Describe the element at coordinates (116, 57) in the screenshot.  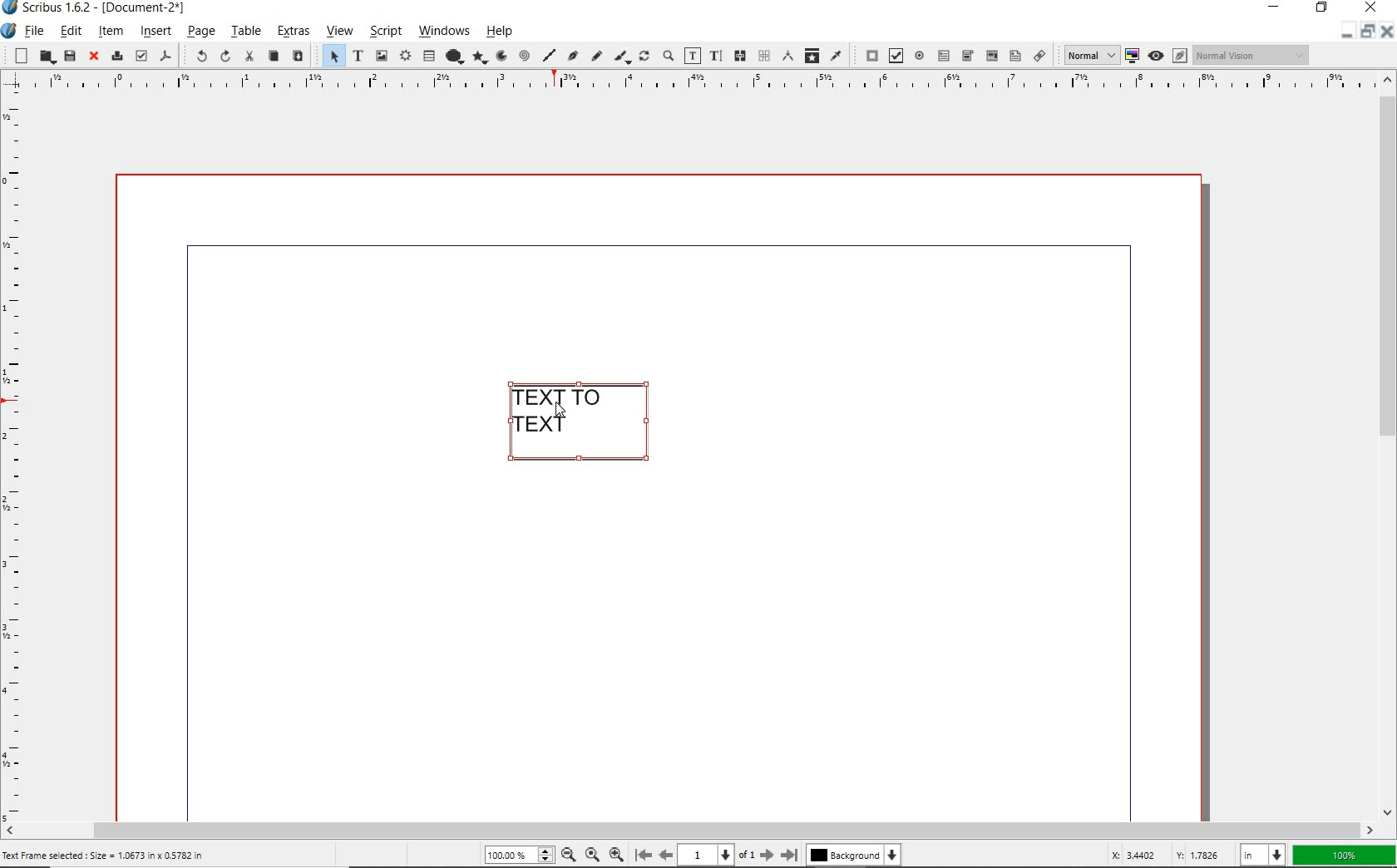
I see `print` at that location.